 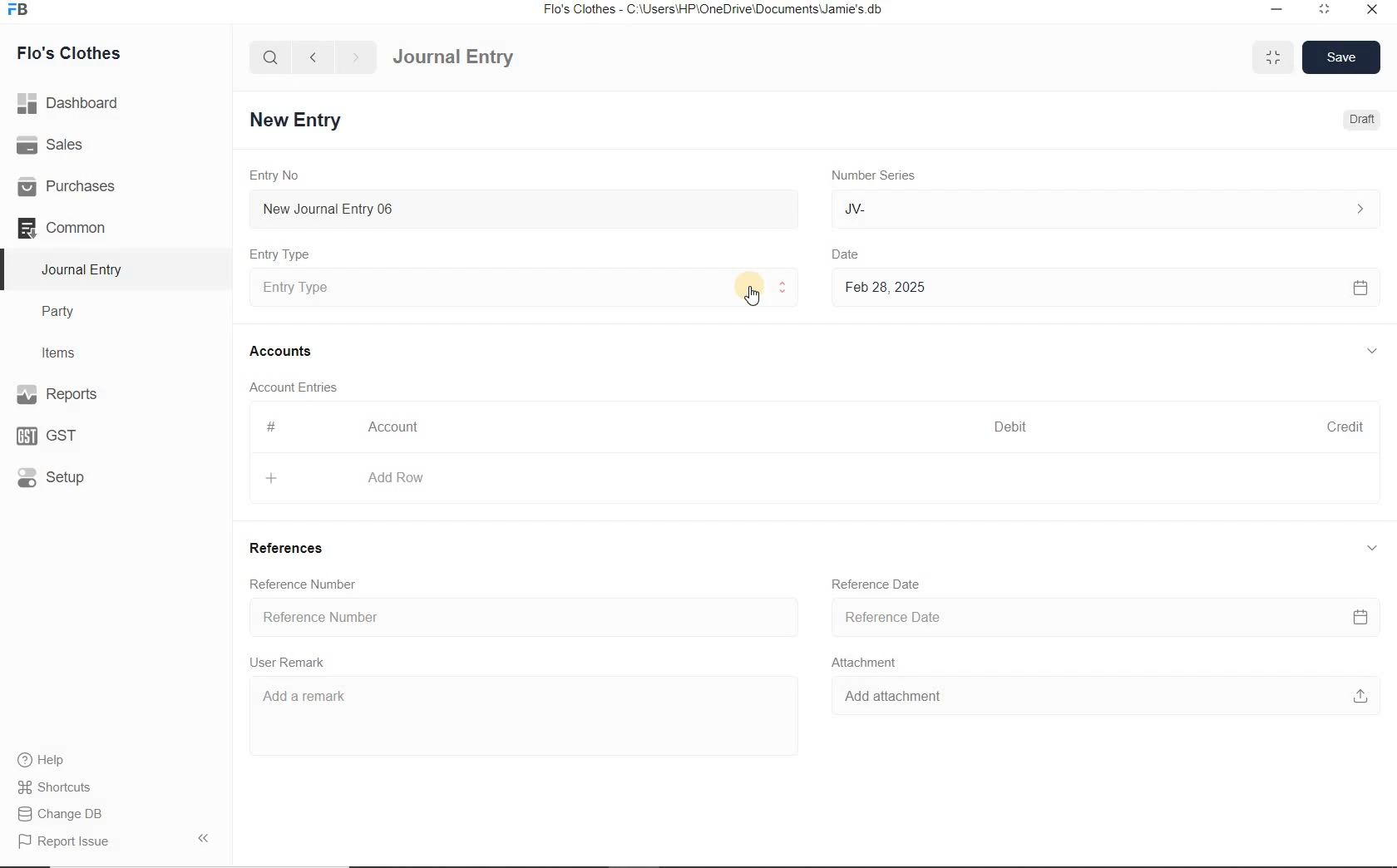 What do you see at coordinates (755, 298) in the screenshot?
I see `cursor` at bounding box center [755, 298].